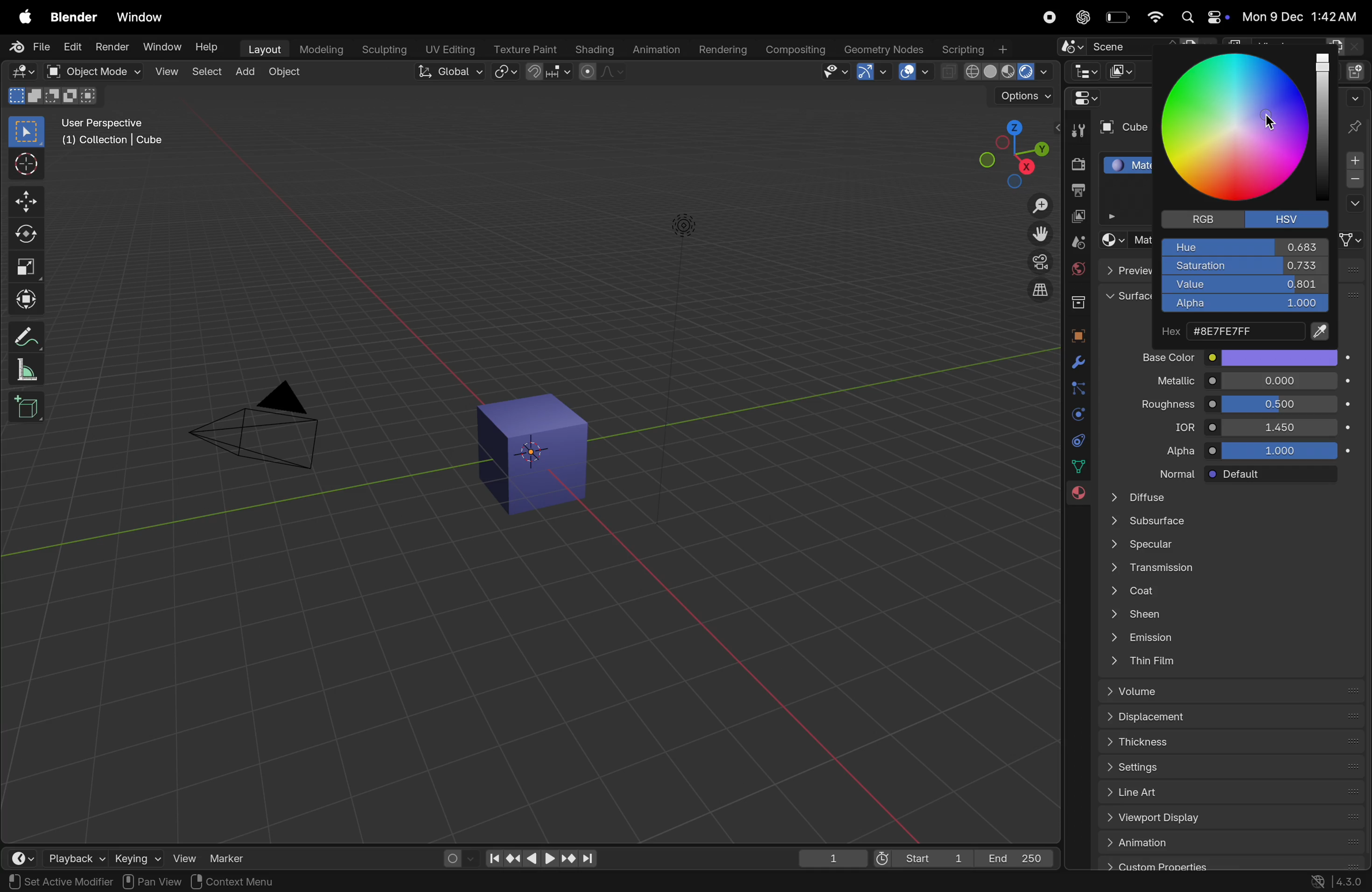 The width and height of the screenshot is (1372, 892). What do you see at coordinates (1015, 858) in the screenshot?
I see `End 250` at bounding box center [1015, 858].